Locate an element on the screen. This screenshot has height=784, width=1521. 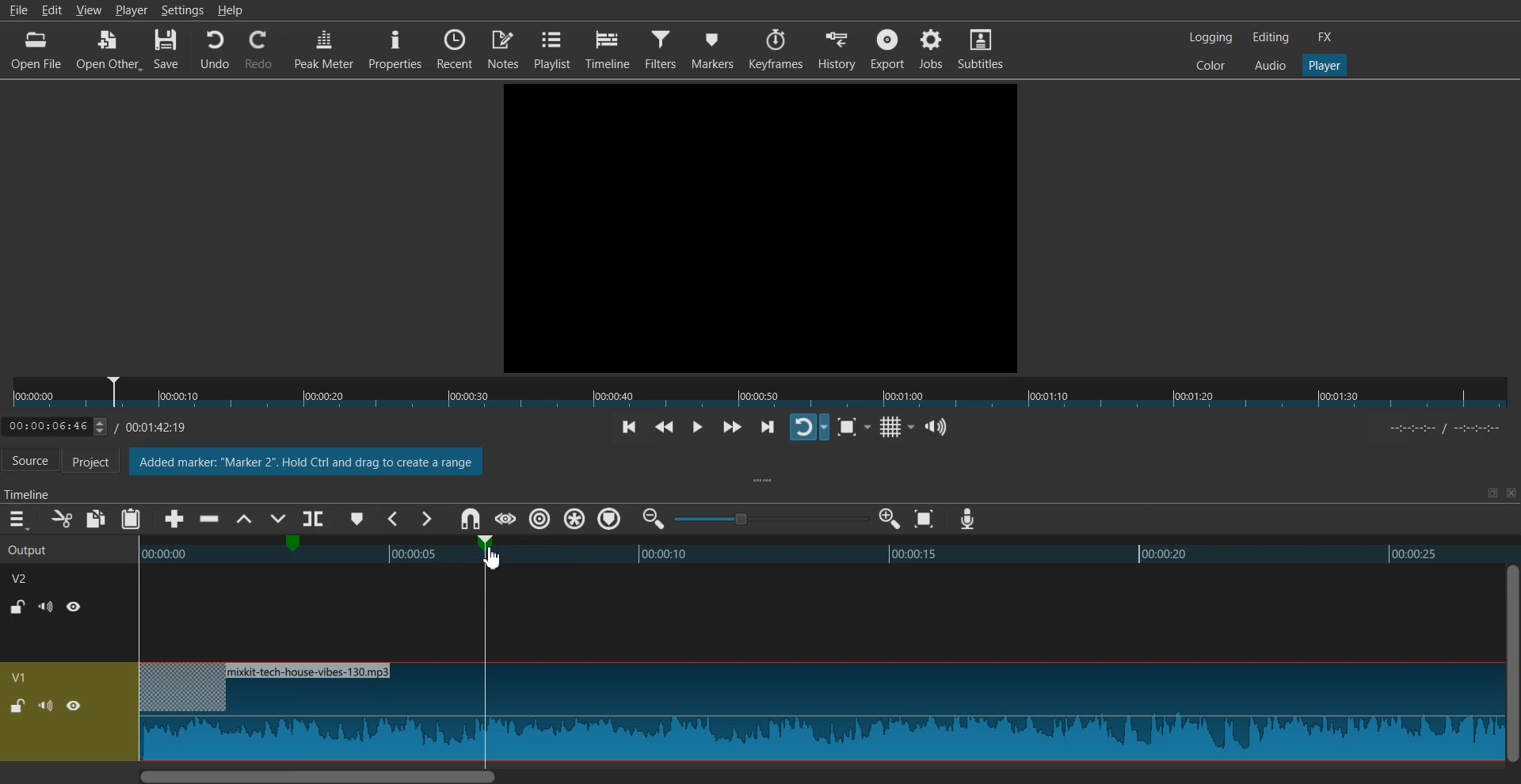
File is located at coordinates (17, 10).